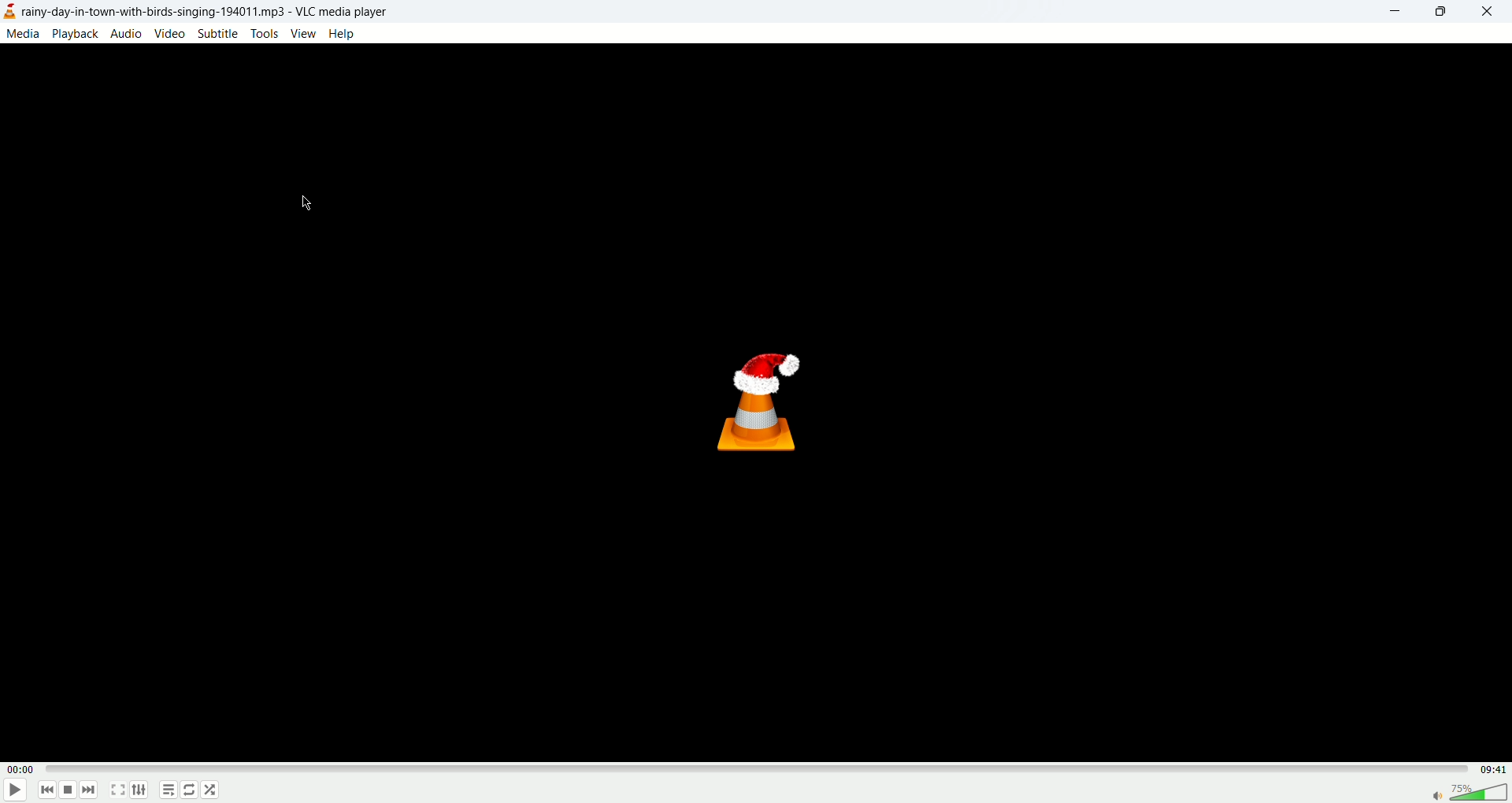 This screenshot has height=803, width=1512. What do you see at coordinates (120, 788) in the screenshot?
I see `fullscreen` at bounding box center [120, 788].